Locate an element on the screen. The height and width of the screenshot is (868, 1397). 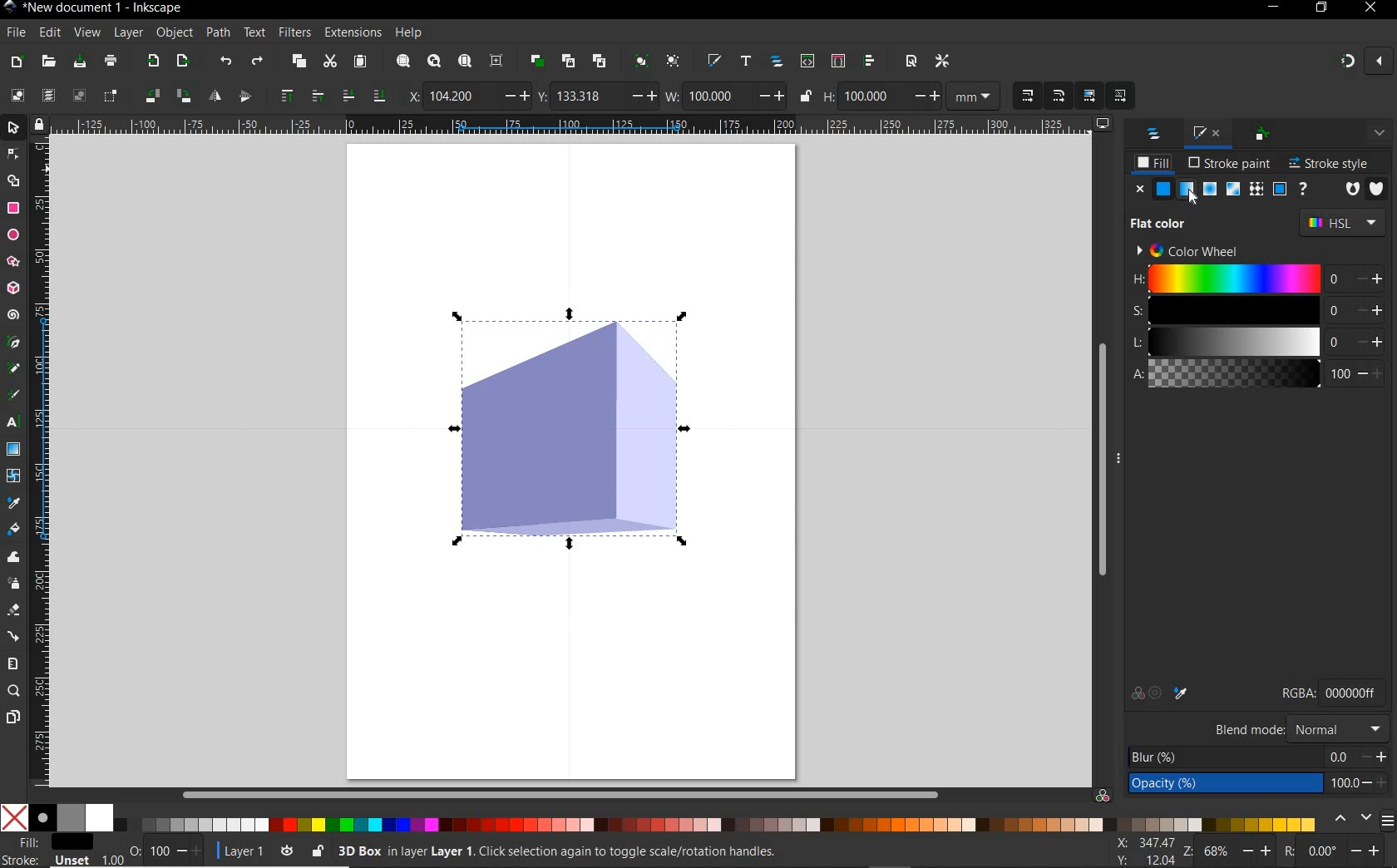
CONNECTOR TOOL is located at coordinates (14, 634).